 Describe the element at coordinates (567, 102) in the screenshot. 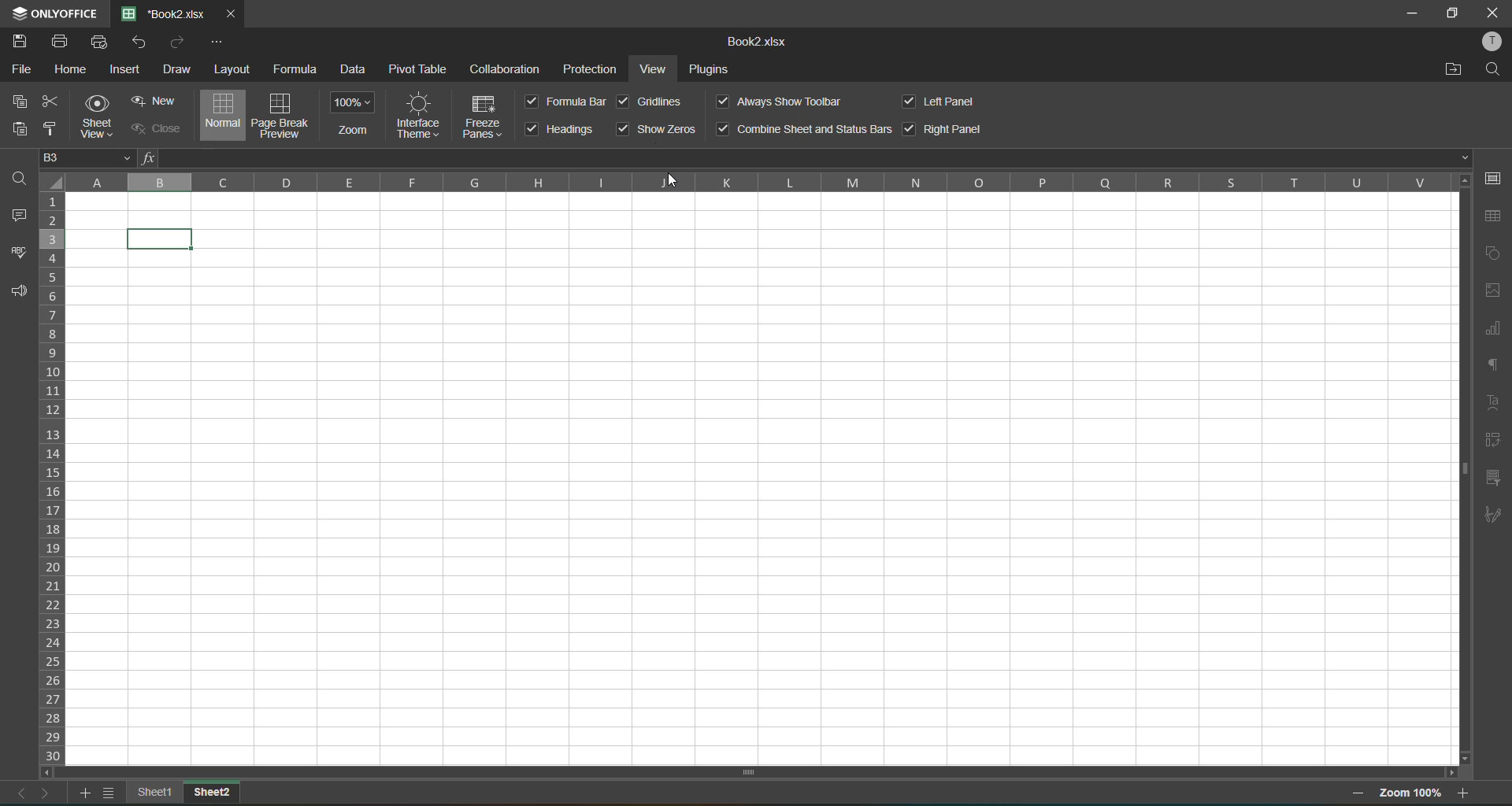

I see `formula bar` at that location.